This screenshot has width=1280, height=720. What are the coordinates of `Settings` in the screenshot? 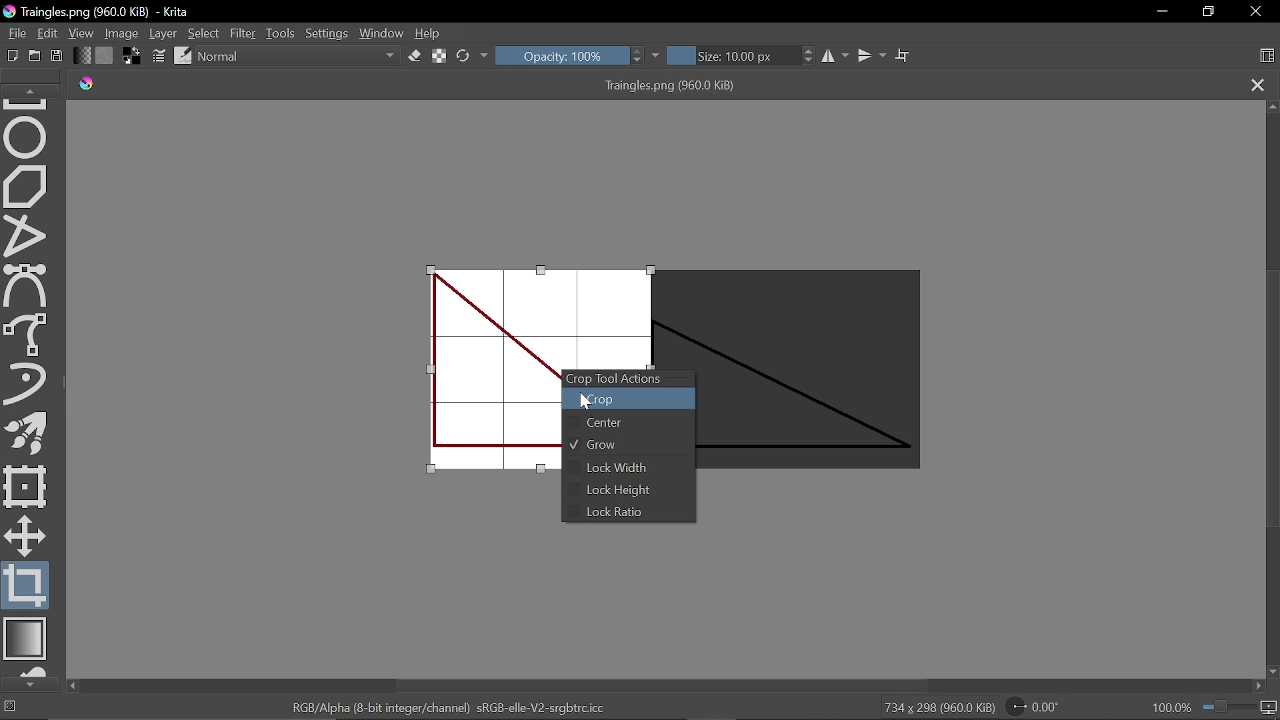 It's located at (327, 34).